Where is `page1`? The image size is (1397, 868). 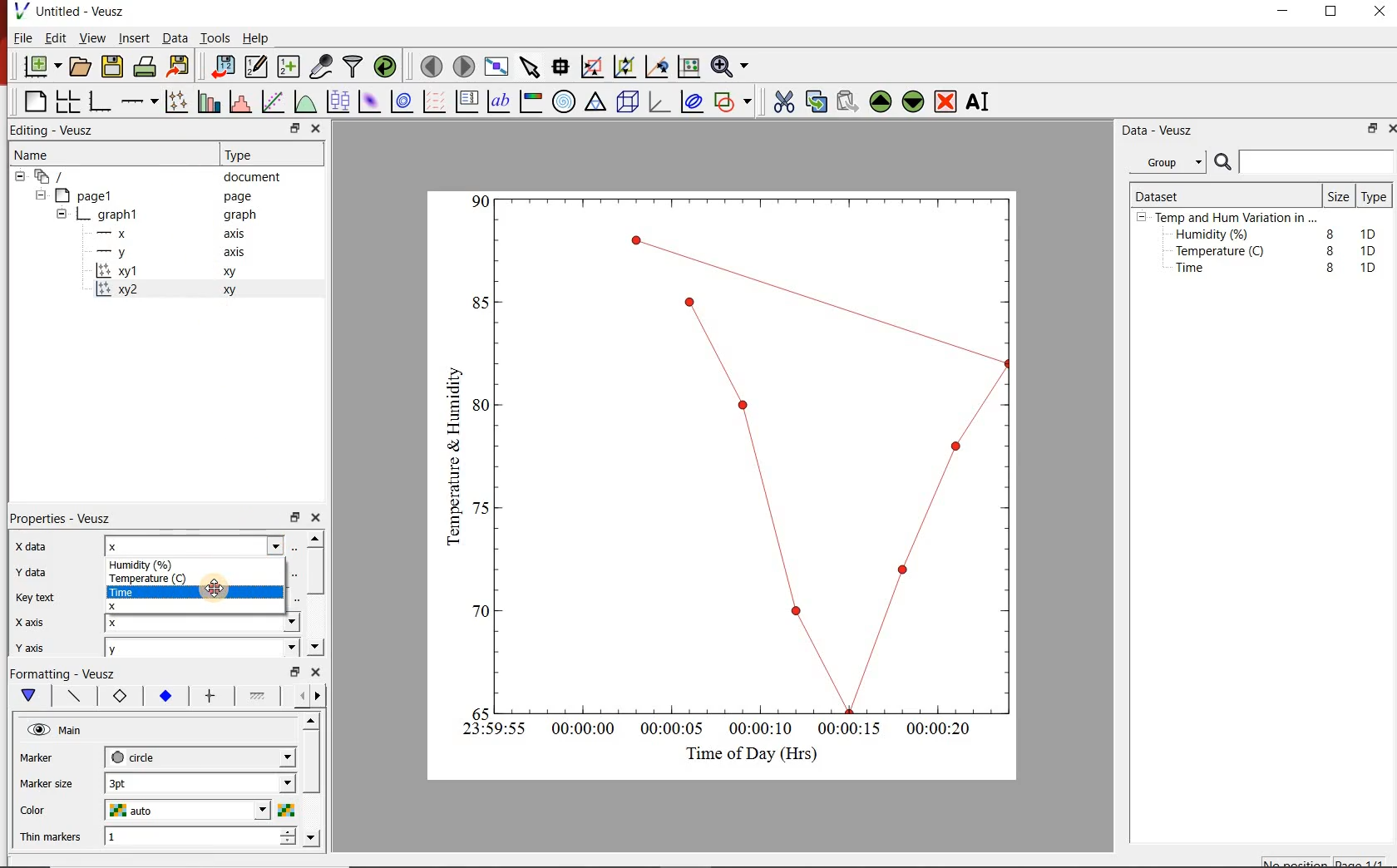 page1 is located at coordinates (93, 195).